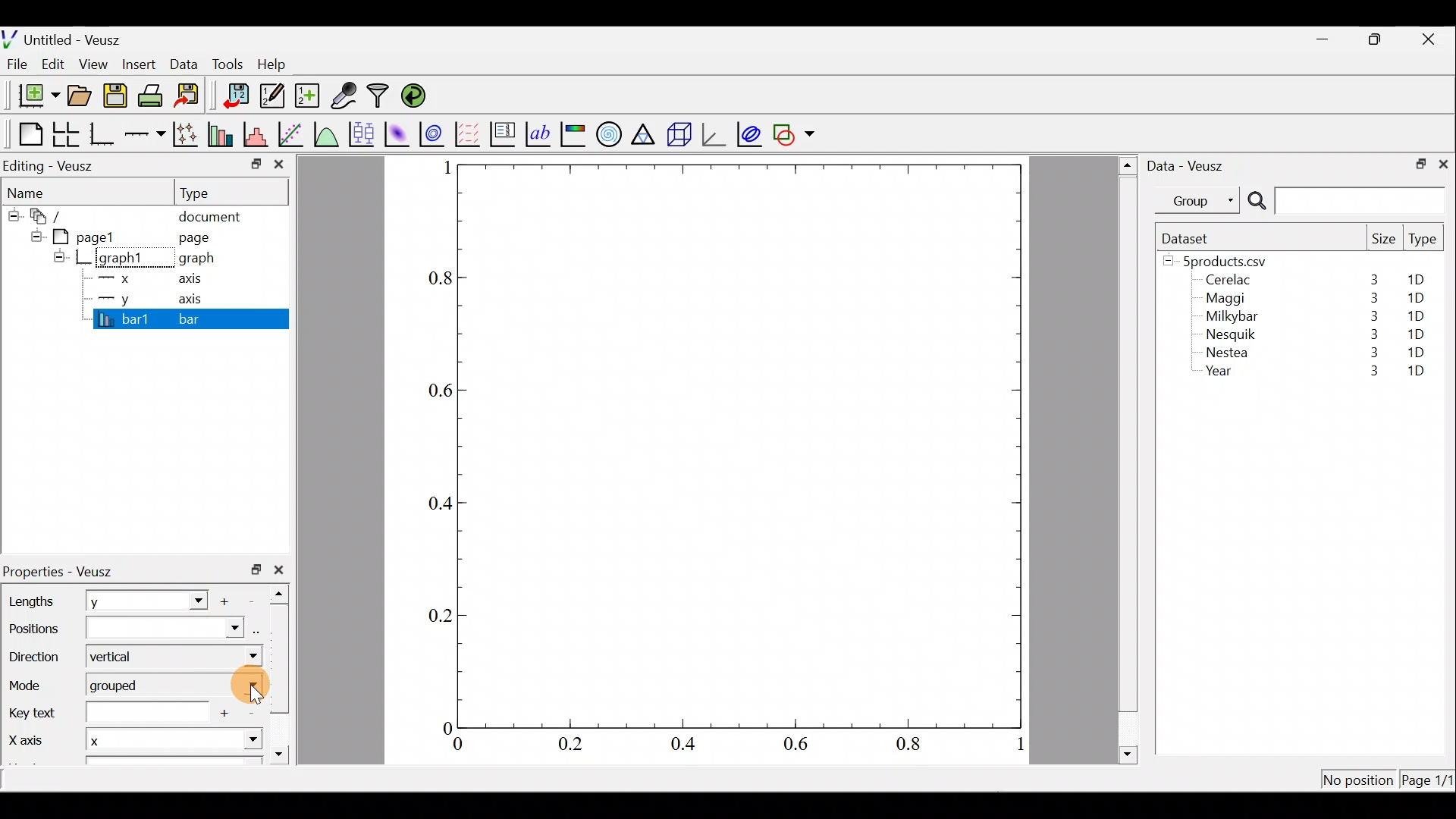 This screenshot has width=1456, height=819. What do you see at coordinates (309, 96) in the screenshot?
I see `Create new dataset using ranges, parametrically, or as functions of existing datasets.` at bounding box center [309, 96].